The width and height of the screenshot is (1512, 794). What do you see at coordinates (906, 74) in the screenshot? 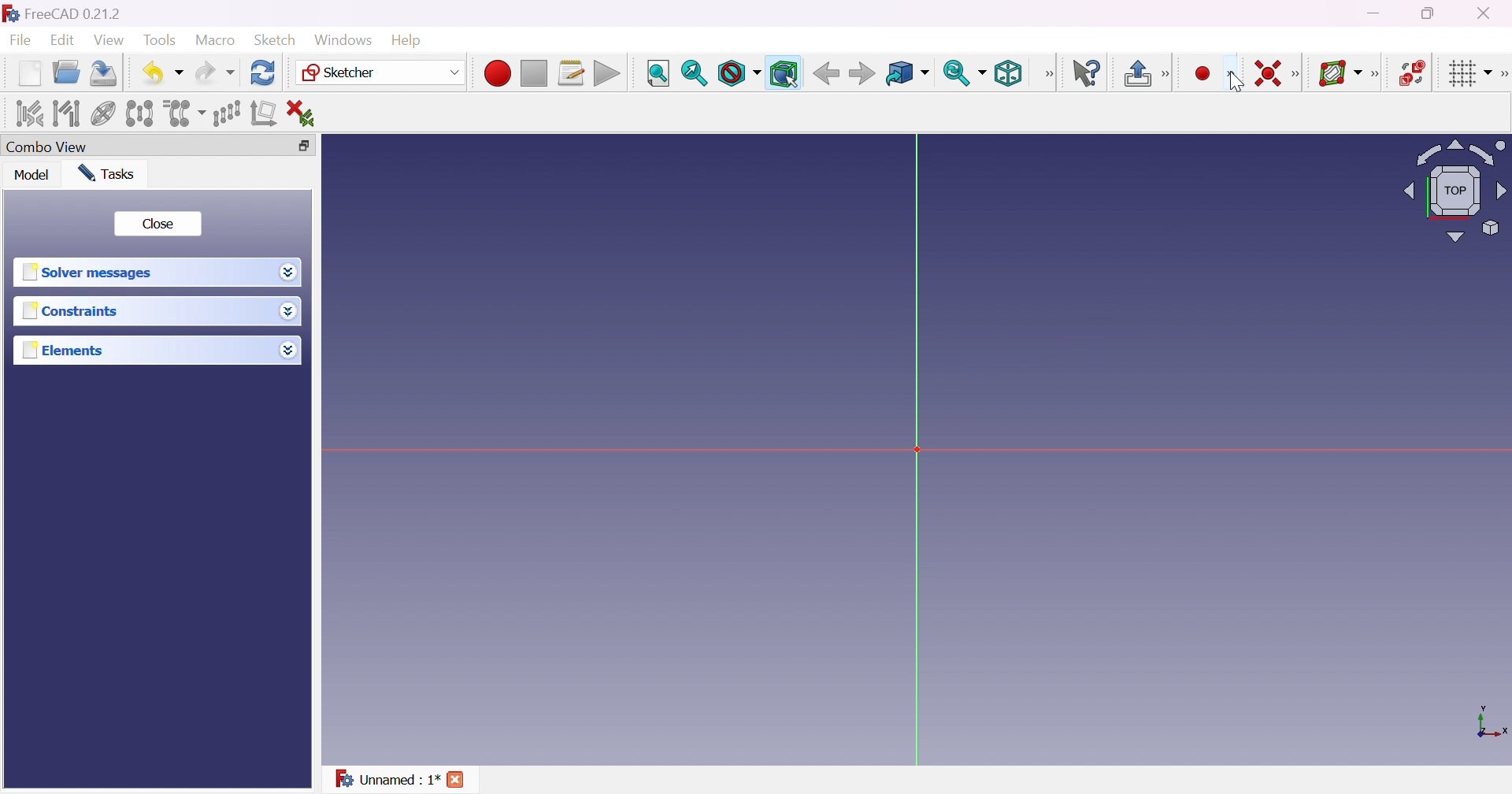
I see `Go to linked object` at bounding box center [906, 74].